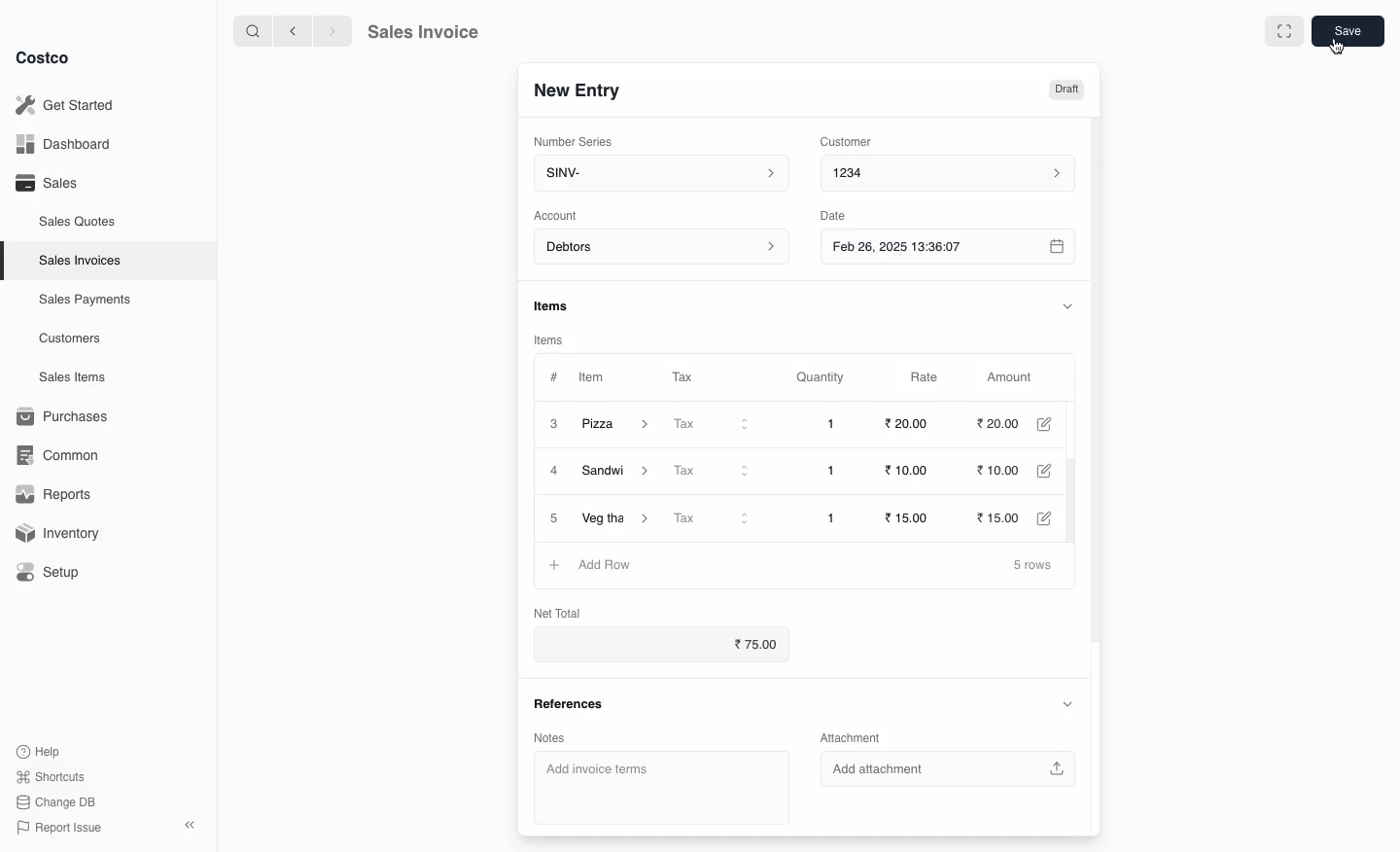  What do you see at coordinates (50, 777) in the screenshot?
I see `Shortcuts` at bounding box center [50, 777].